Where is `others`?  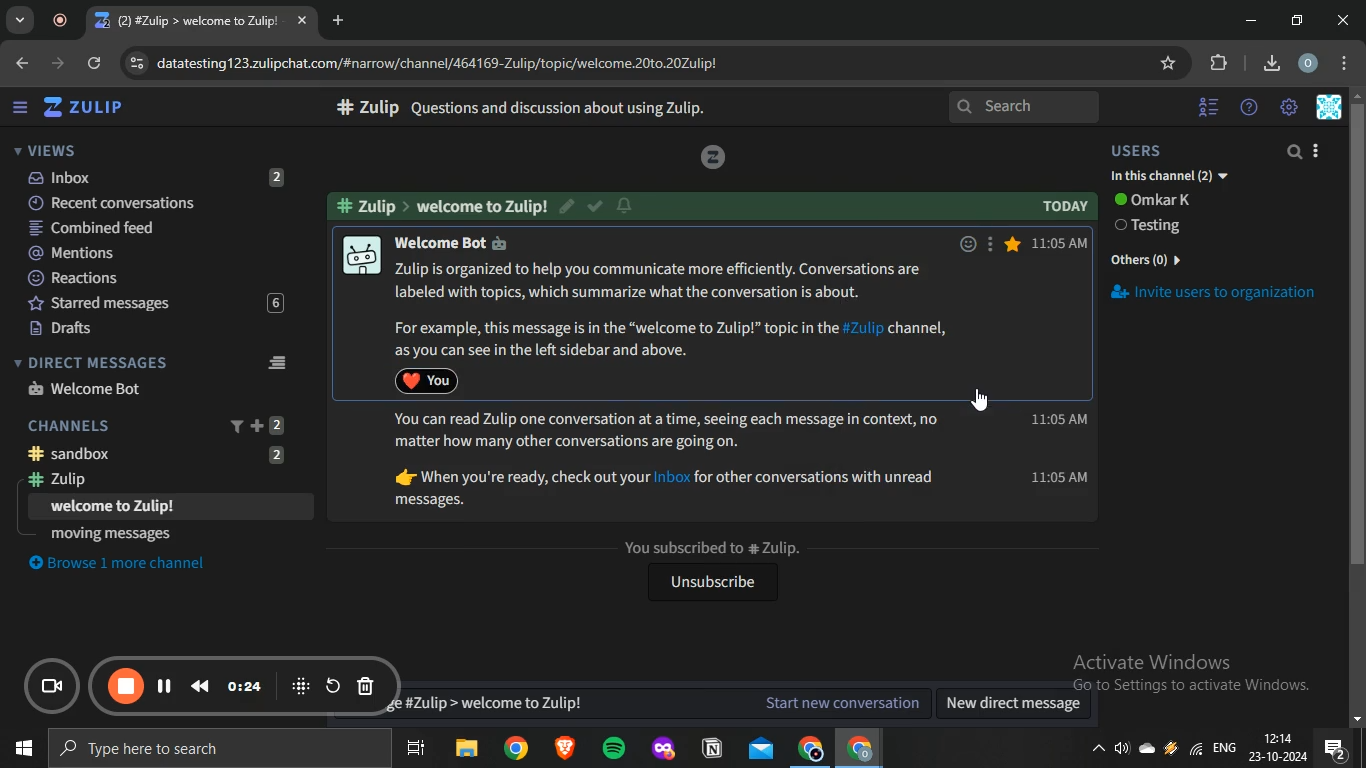 others is located at coordinates (1150, 257).